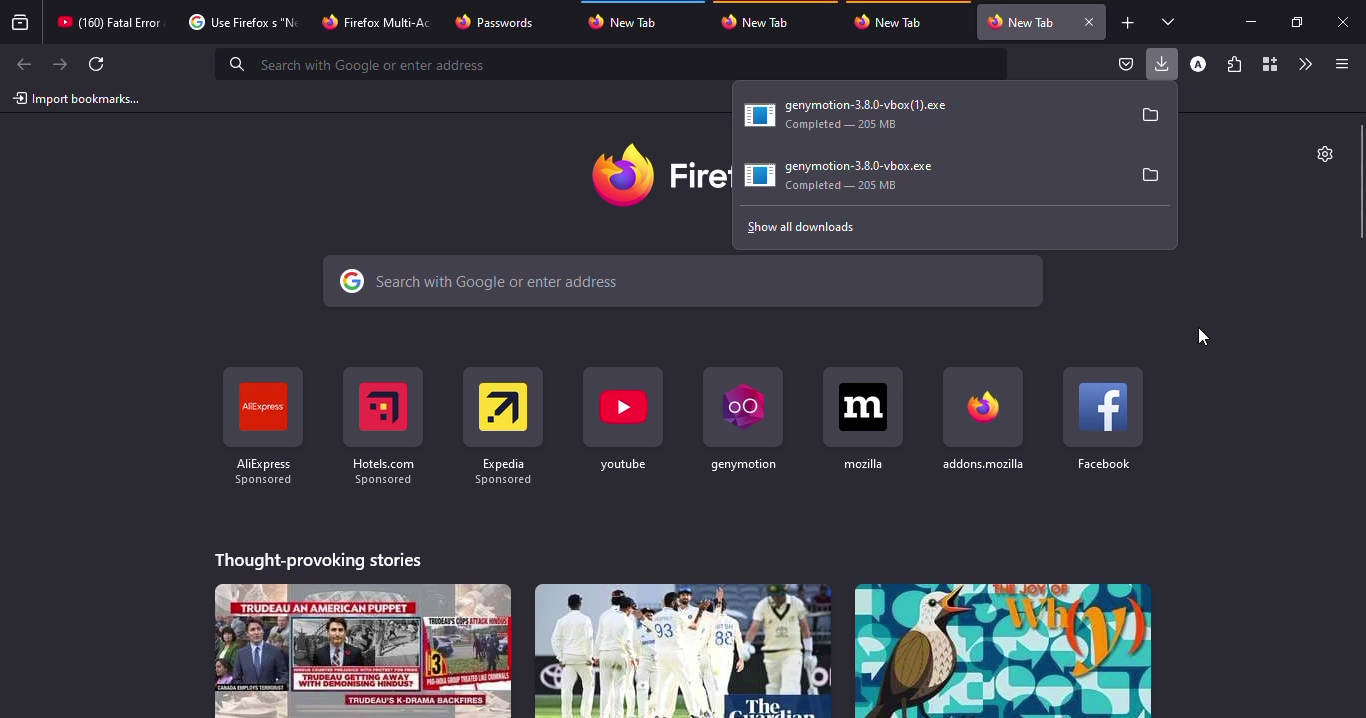  What do you see at coordinates (761, 21) in the screenshot?
I see `tab` at bounding box center [761, 21].